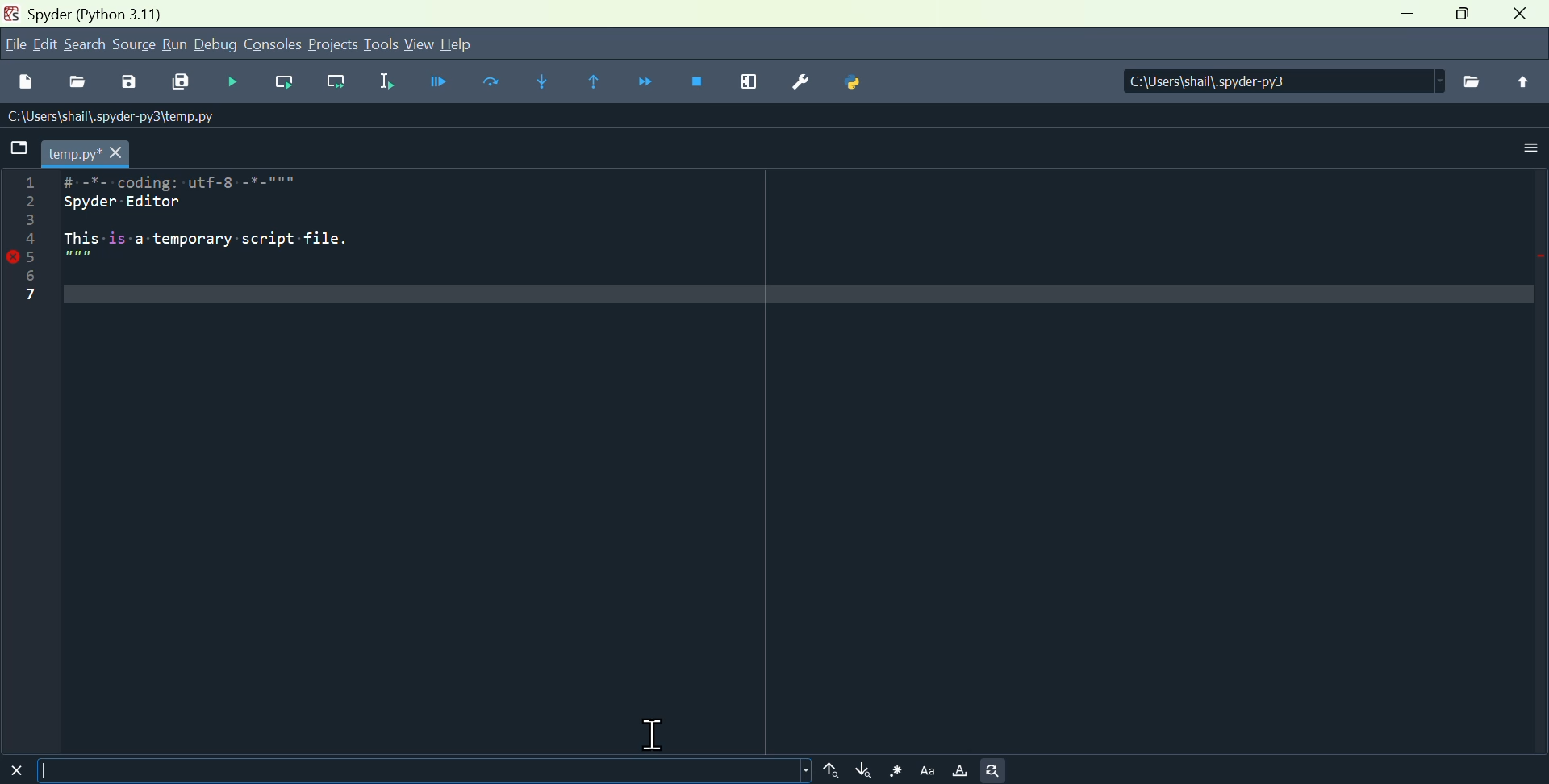  Describe the element at coordinates (134, 46) in the screenshot. I see `Source` at that location.